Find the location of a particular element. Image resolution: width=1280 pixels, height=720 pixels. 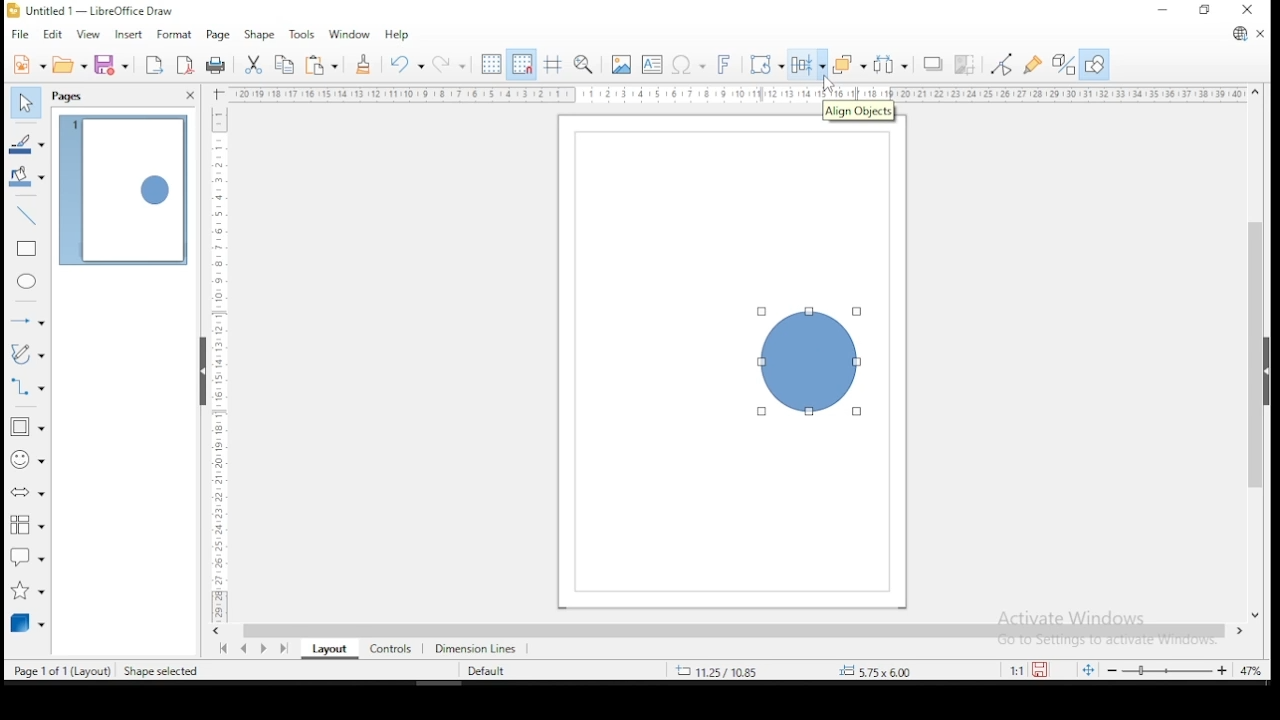

tools is located at coordinates (302, 33).